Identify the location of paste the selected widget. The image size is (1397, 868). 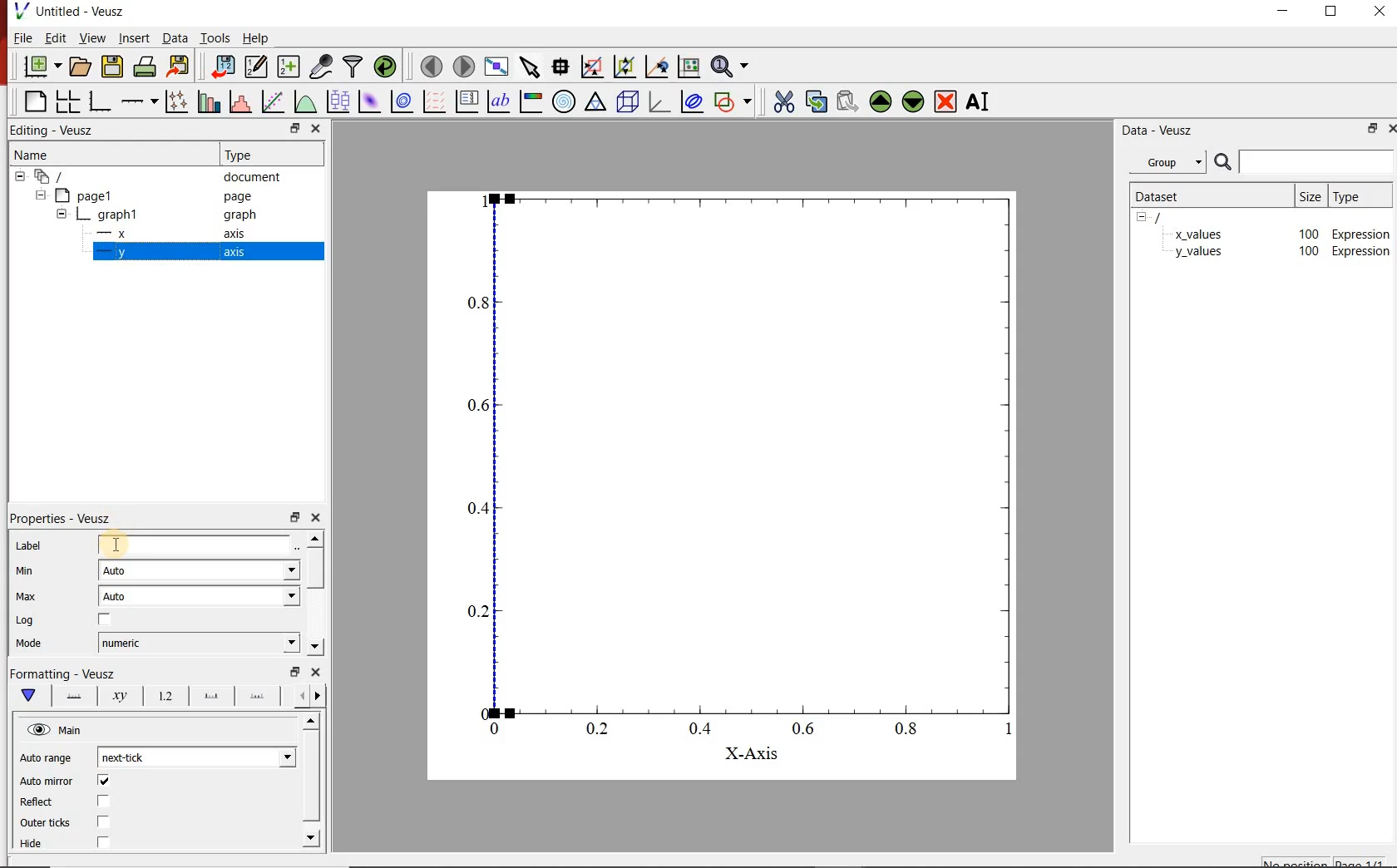
(845, 104).